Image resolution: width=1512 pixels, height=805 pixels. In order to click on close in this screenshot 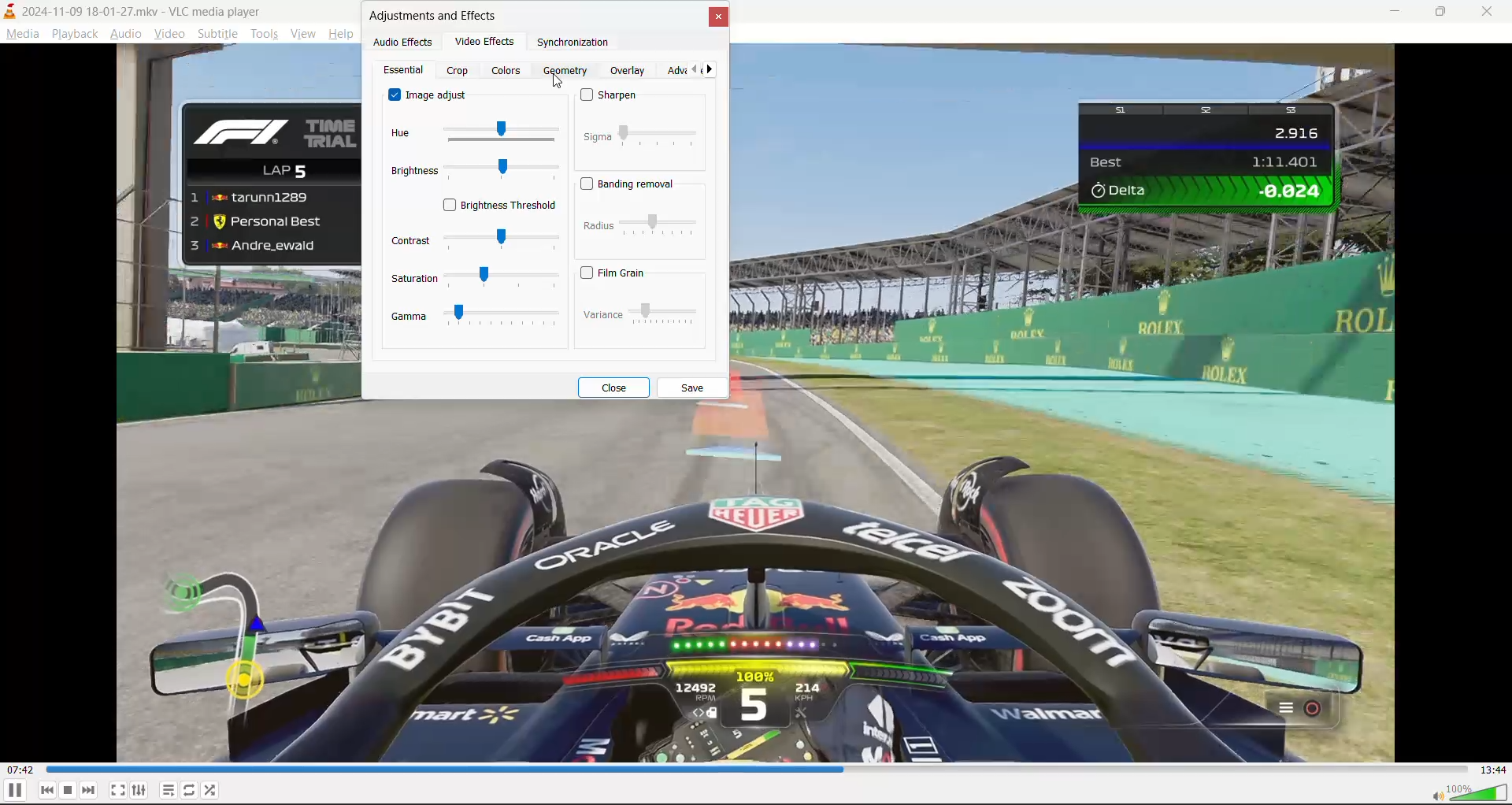, I will do `click(717, 18)`.